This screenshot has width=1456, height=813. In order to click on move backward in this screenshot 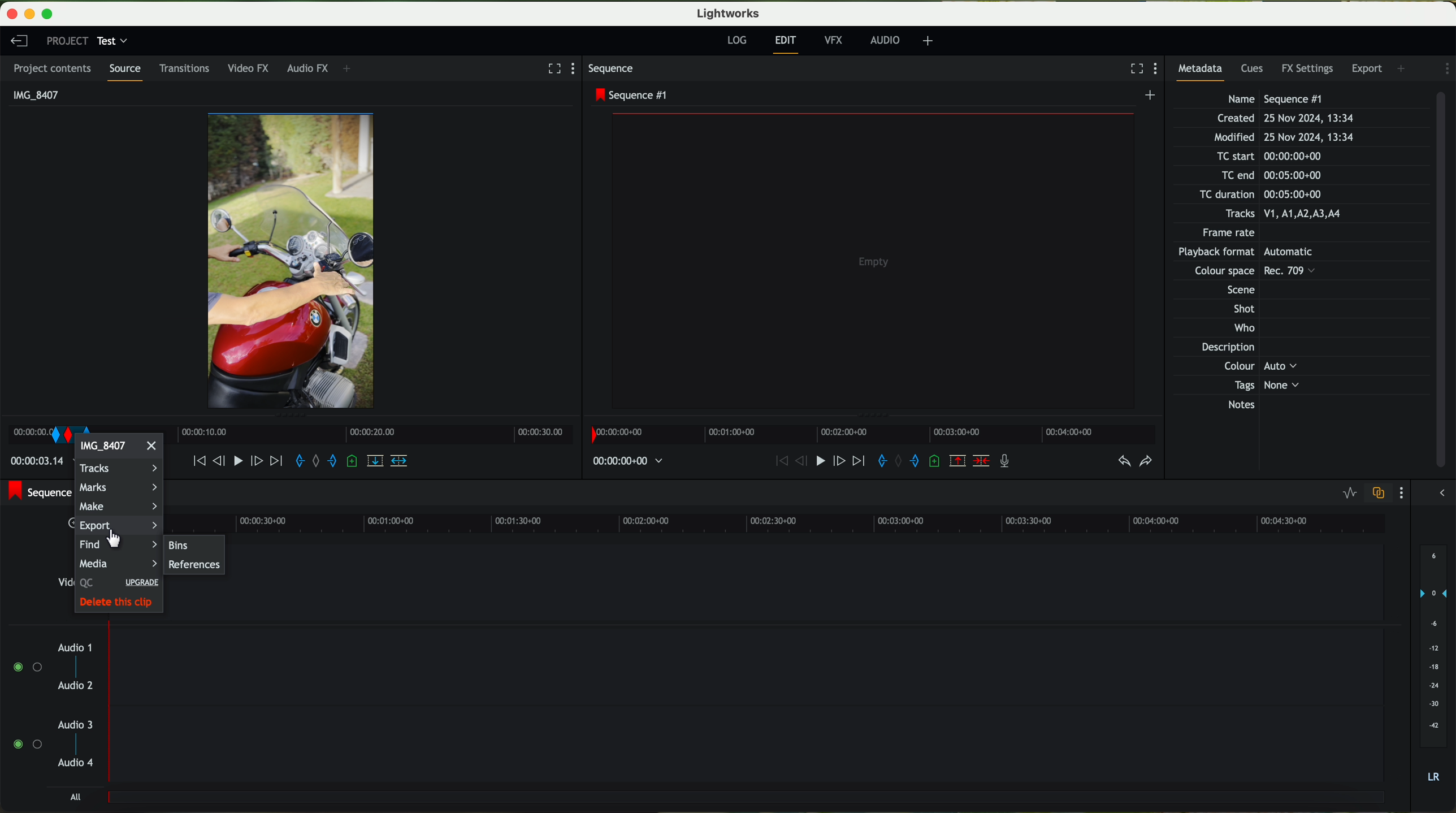, I will do `click(193, 461)`.